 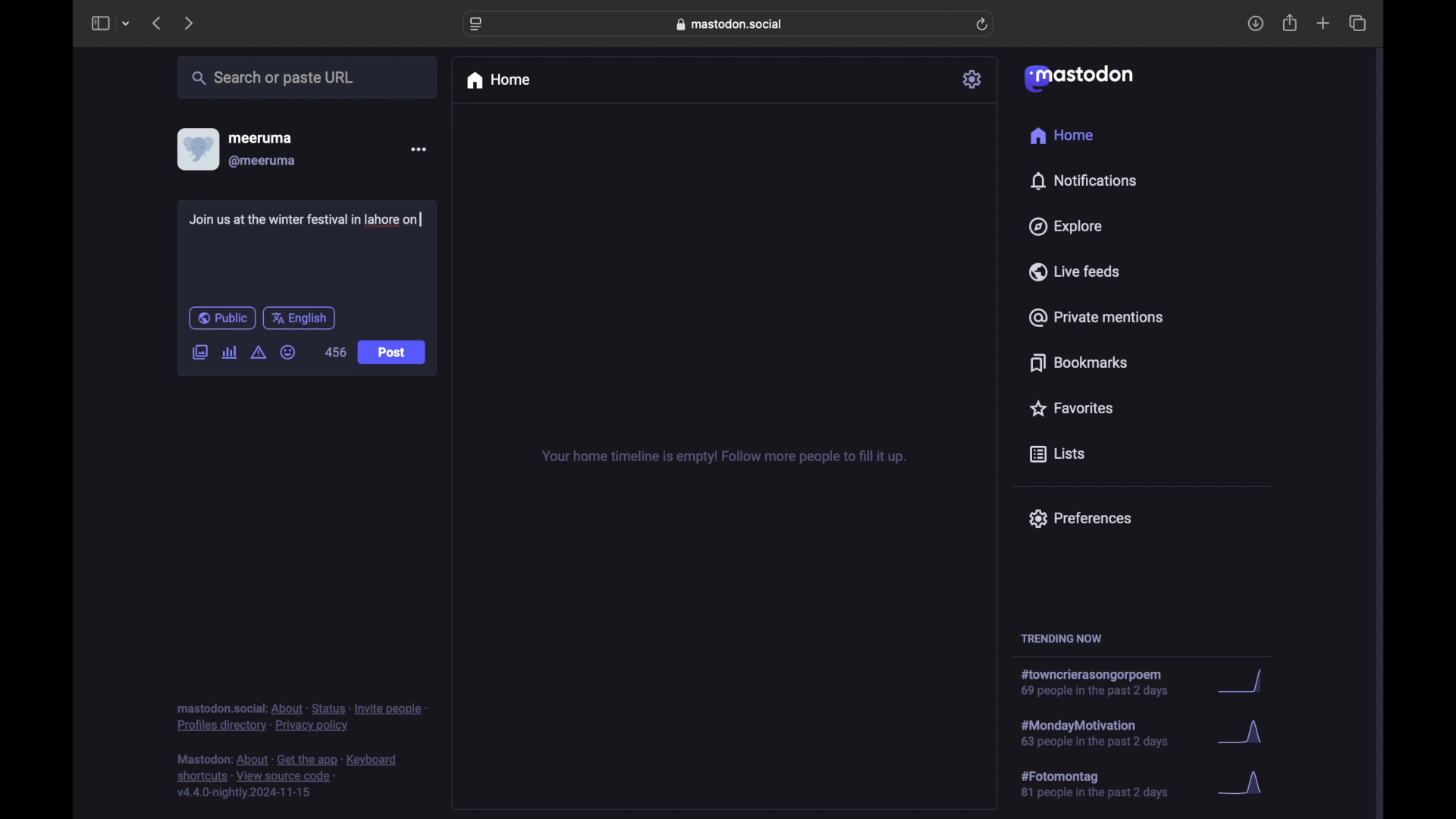 I want to click on favorites, so click(x=1070, y=408).